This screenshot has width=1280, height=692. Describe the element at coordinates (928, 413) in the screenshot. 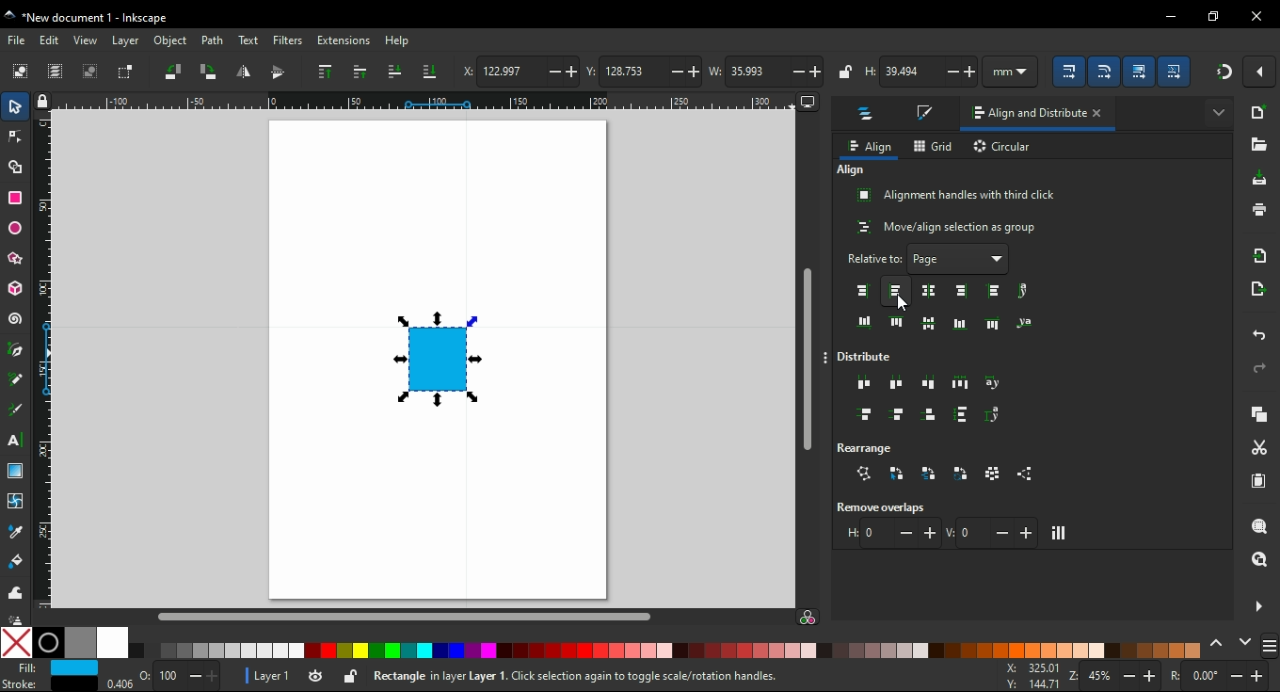

I see `distribute vertically with even spacing between bottom edges` at that location.